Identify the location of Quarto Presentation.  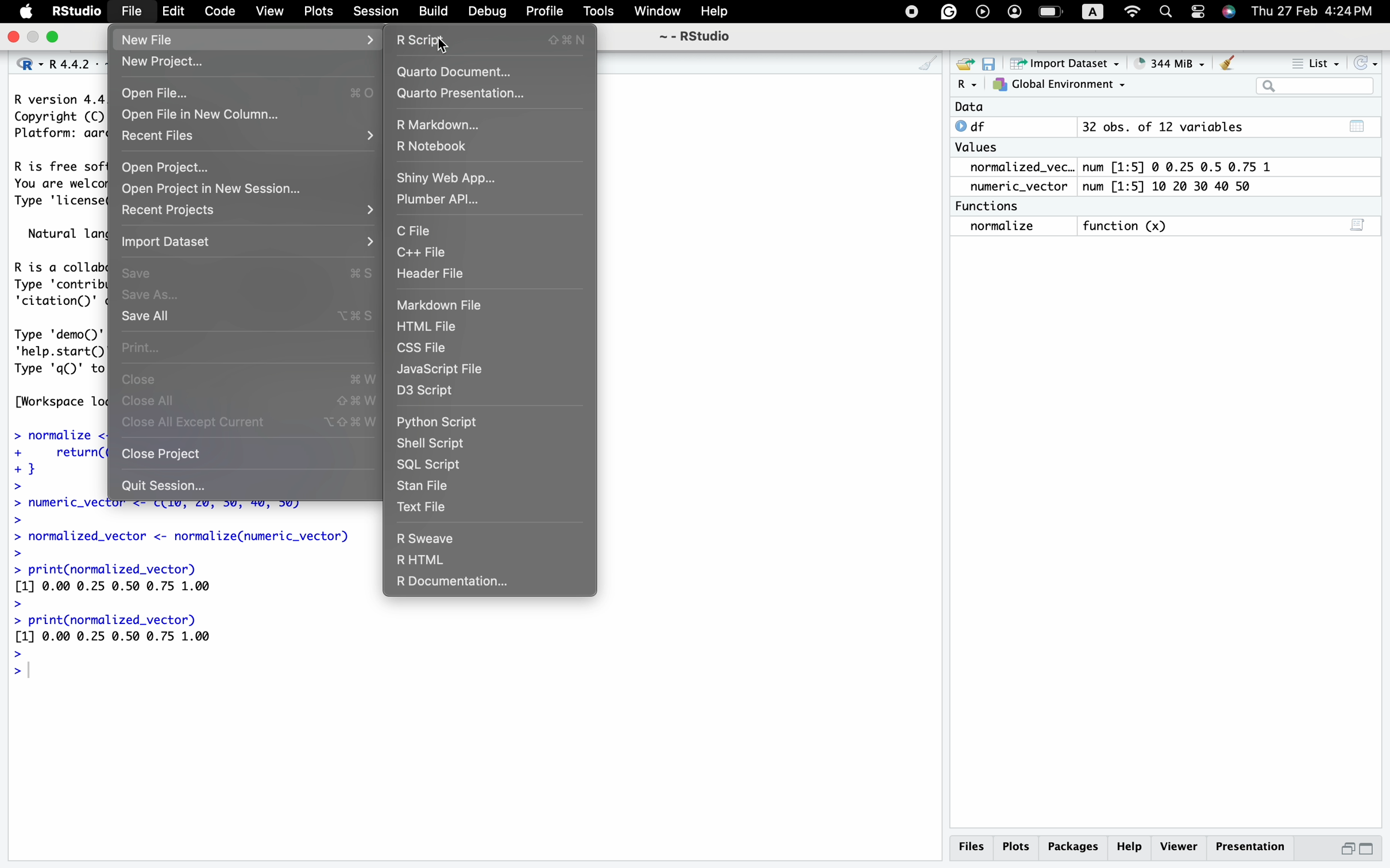
(465, 94).